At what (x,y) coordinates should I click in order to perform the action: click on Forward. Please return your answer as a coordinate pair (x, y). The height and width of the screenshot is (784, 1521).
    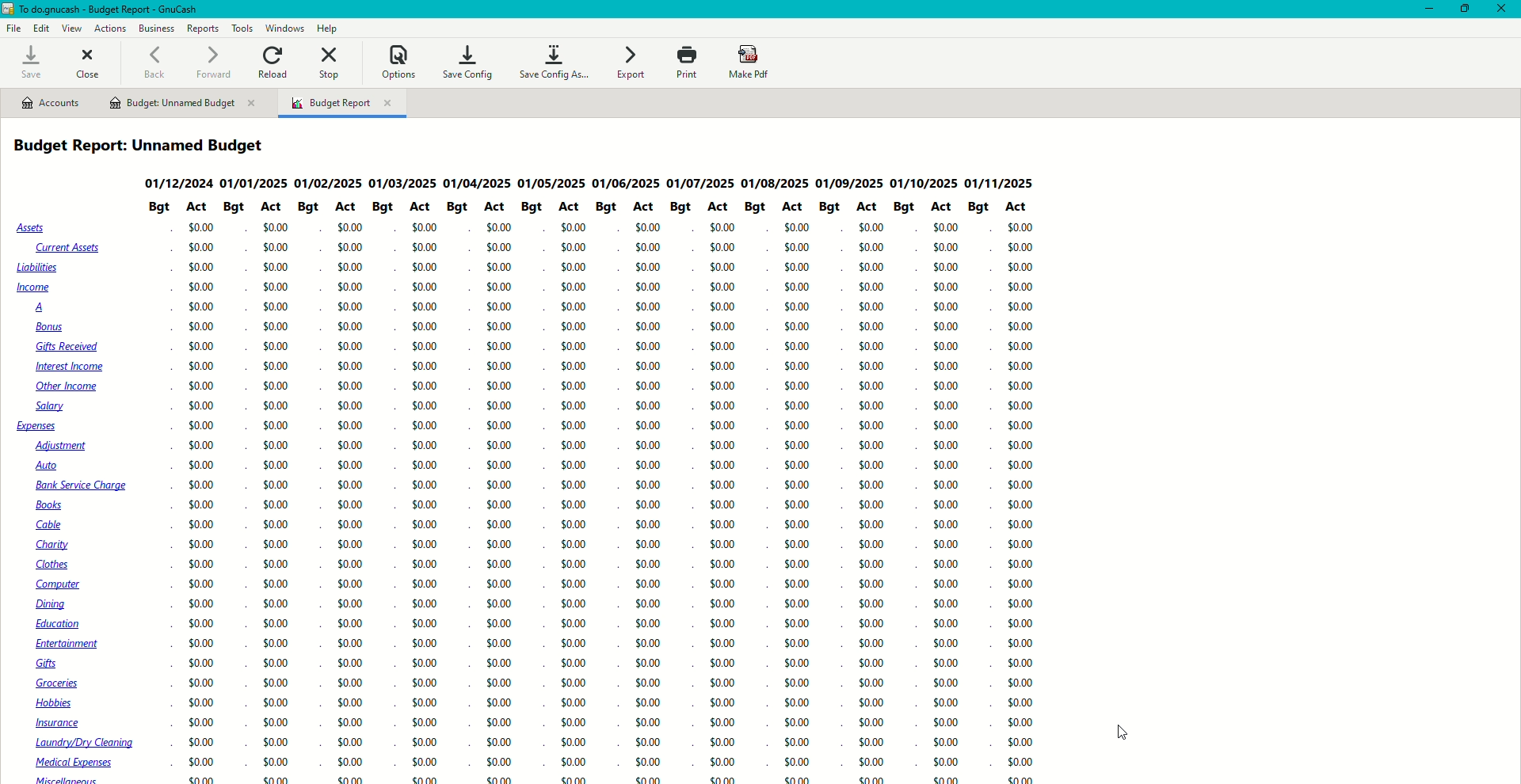
    Looking at the image, I should click on (213, 61).